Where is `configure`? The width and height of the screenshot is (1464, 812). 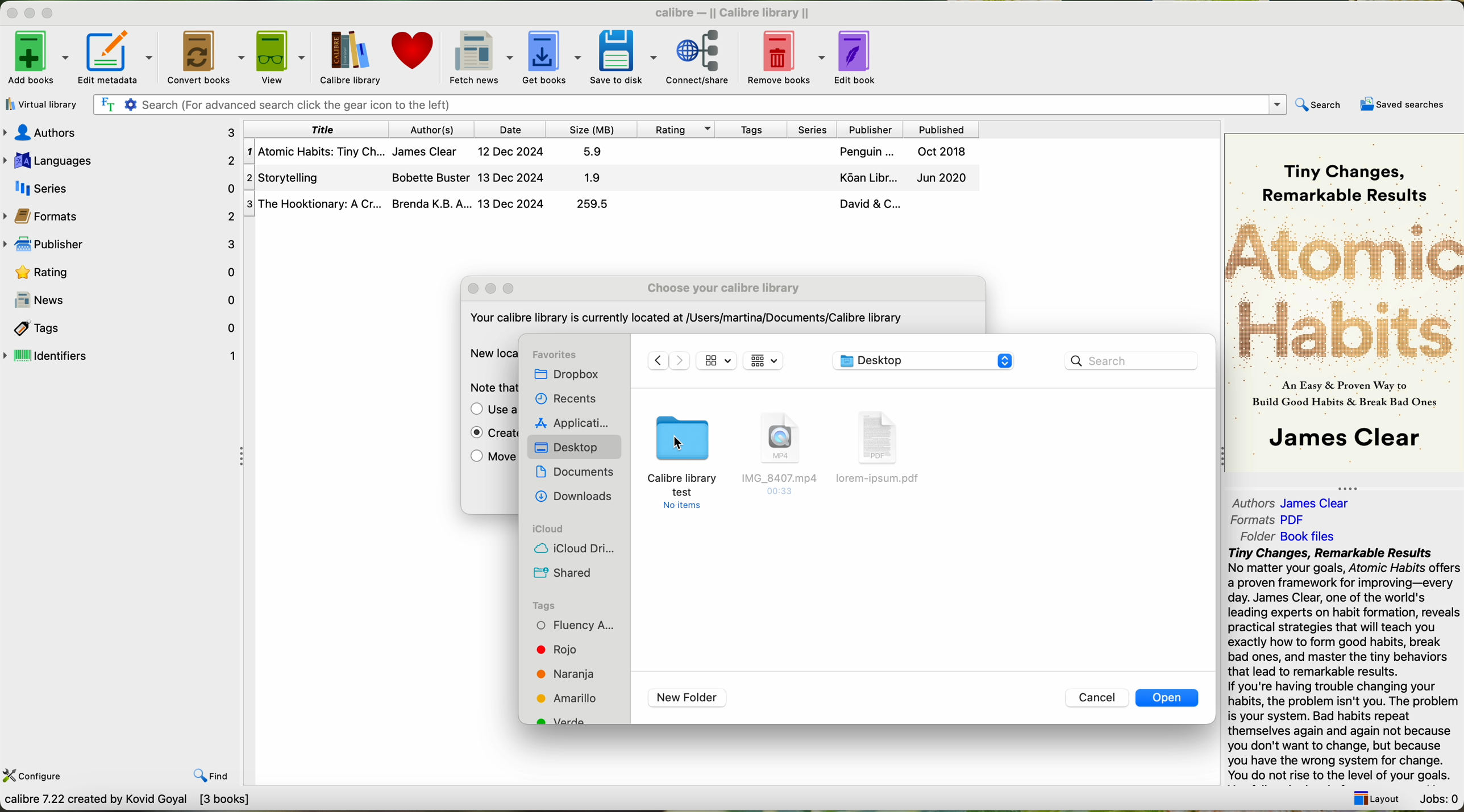 configure is located at coordinates (35, 774).